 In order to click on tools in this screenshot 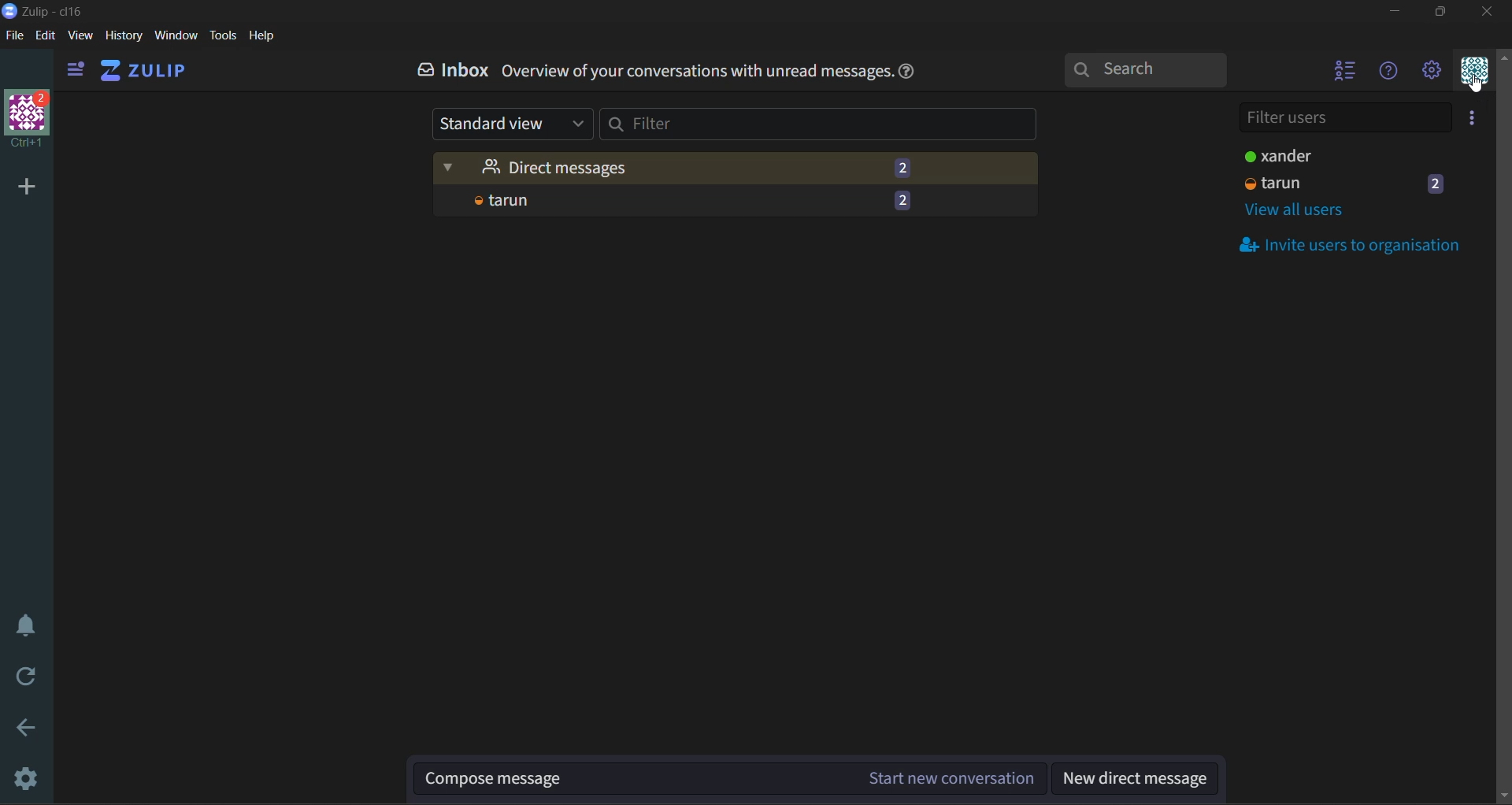, I will do `click(225, 35)`.